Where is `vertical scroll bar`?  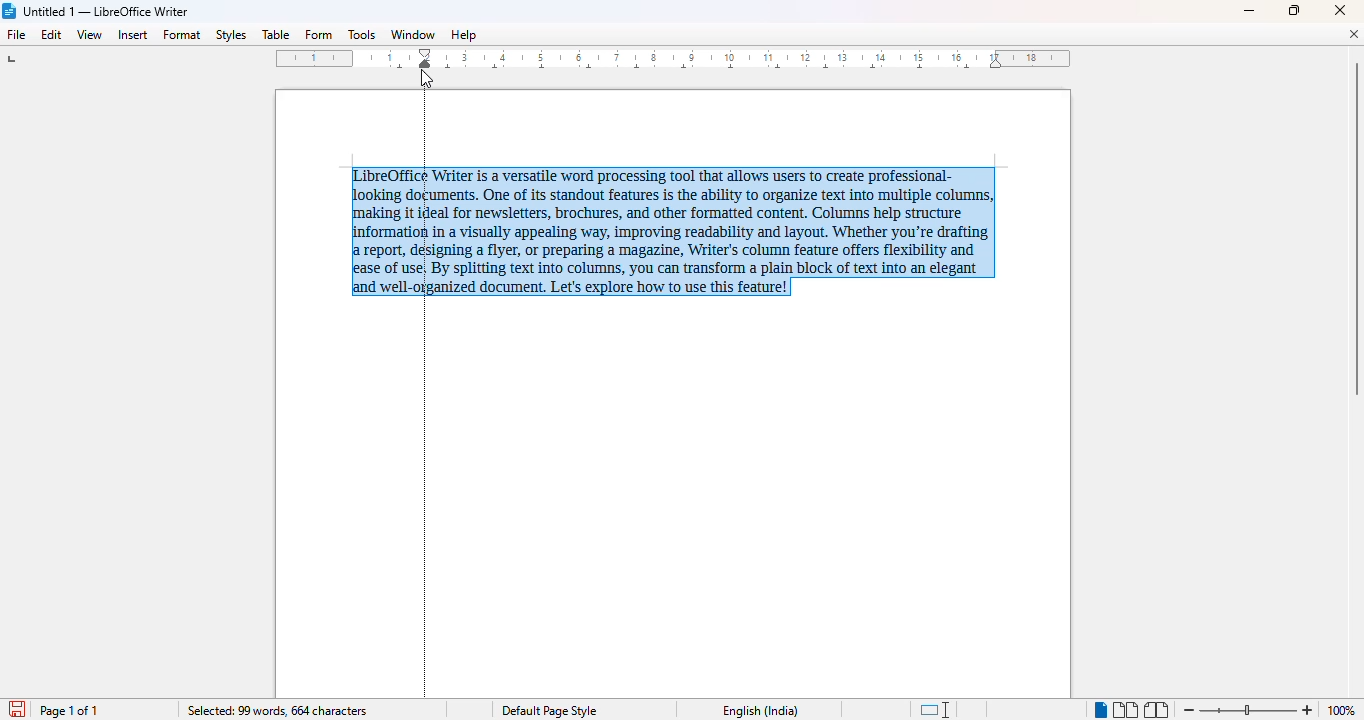
vertical scroll bar is located at coordinates (1355, 229).